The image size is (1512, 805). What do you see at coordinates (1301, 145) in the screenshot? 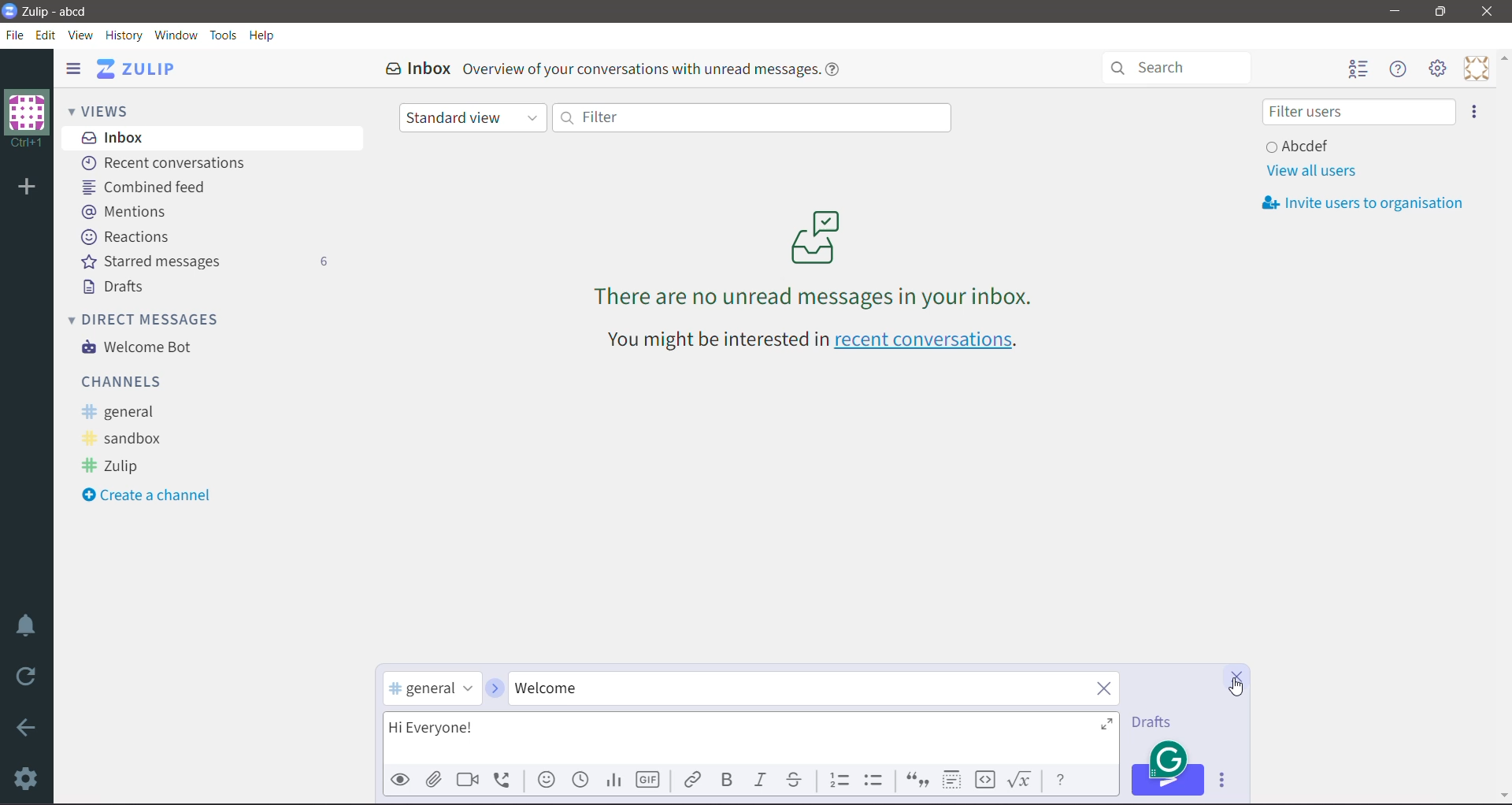
I see `User and Status` at bounding box center [1301, 145].